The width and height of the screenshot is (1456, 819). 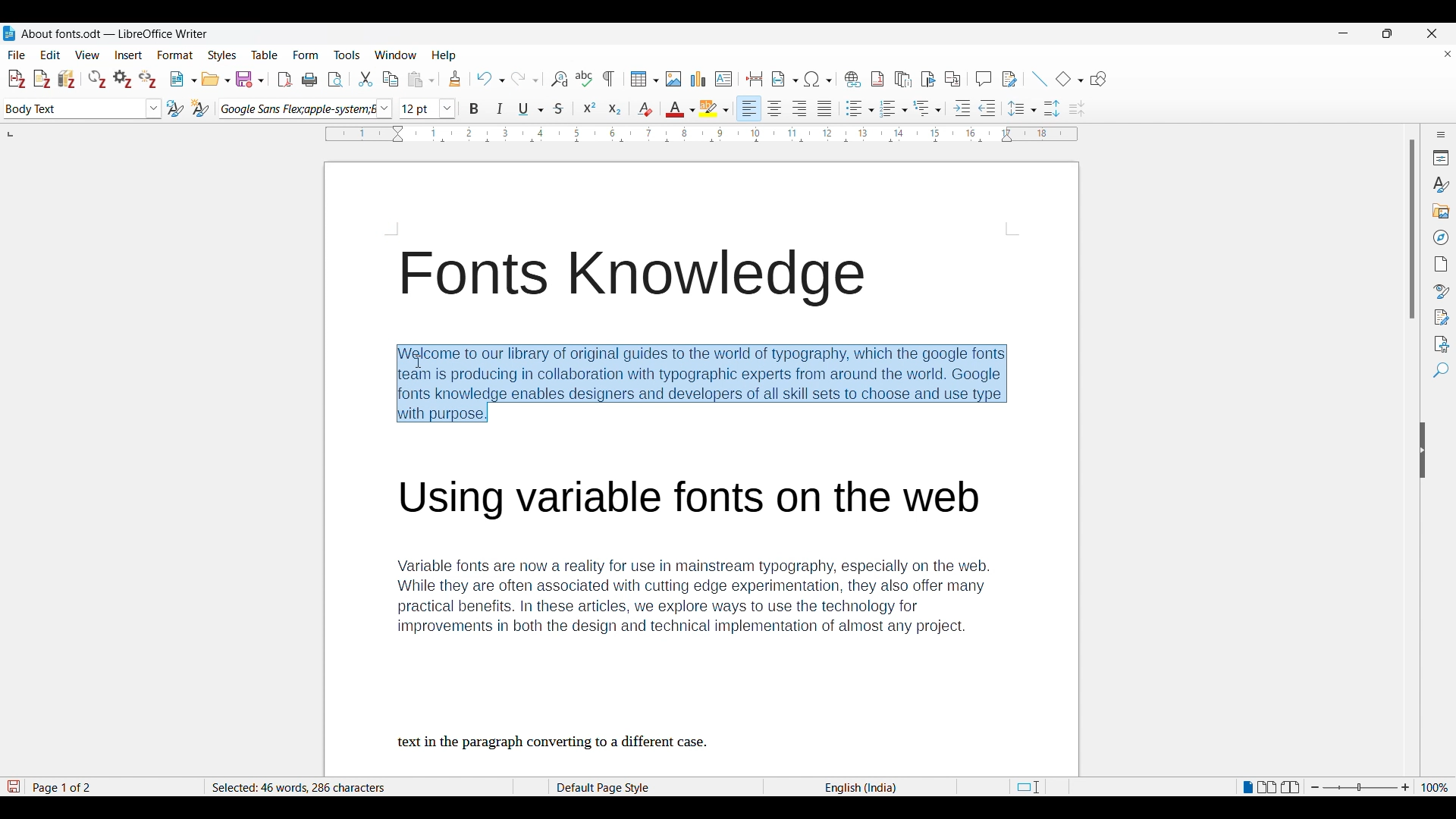 I want to click on Add\Edit bibliography, so click(x=67, y=79).